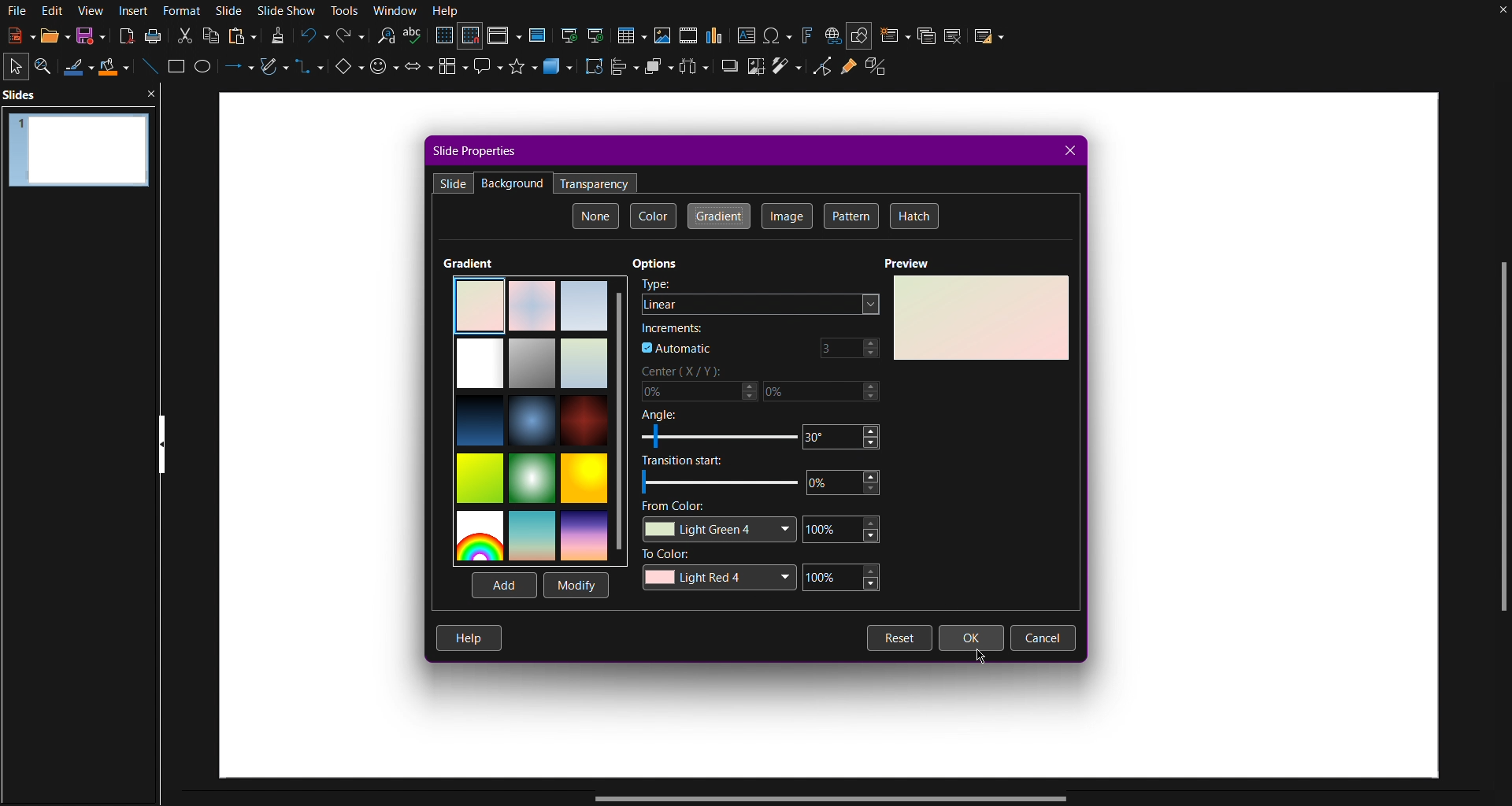  Describe the element at coordinates (78, 68) in the screenshot. I see `Line Color` at that location.